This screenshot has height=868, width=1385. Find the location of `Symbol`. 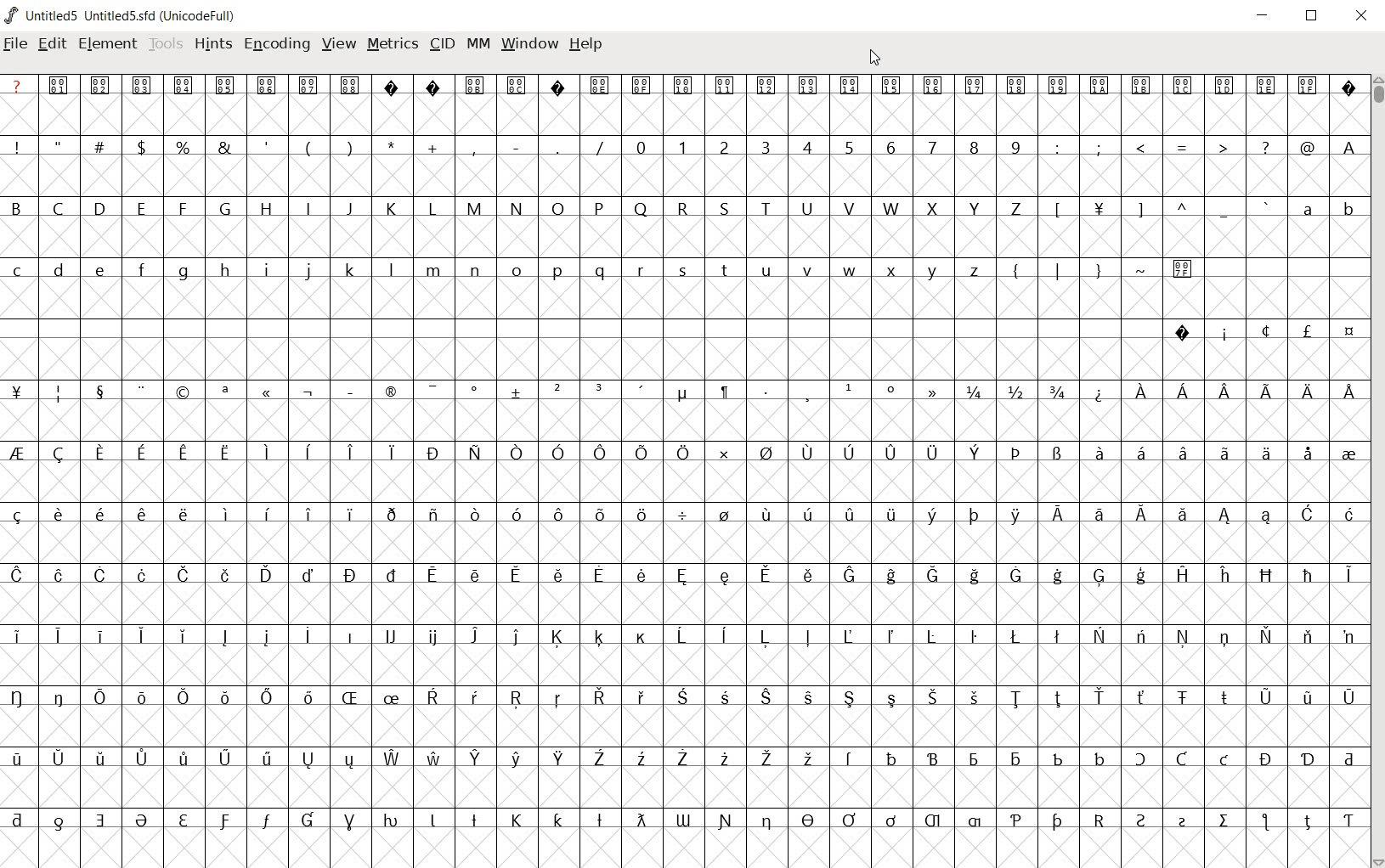

Symbol is located at coordinates (473, 819).